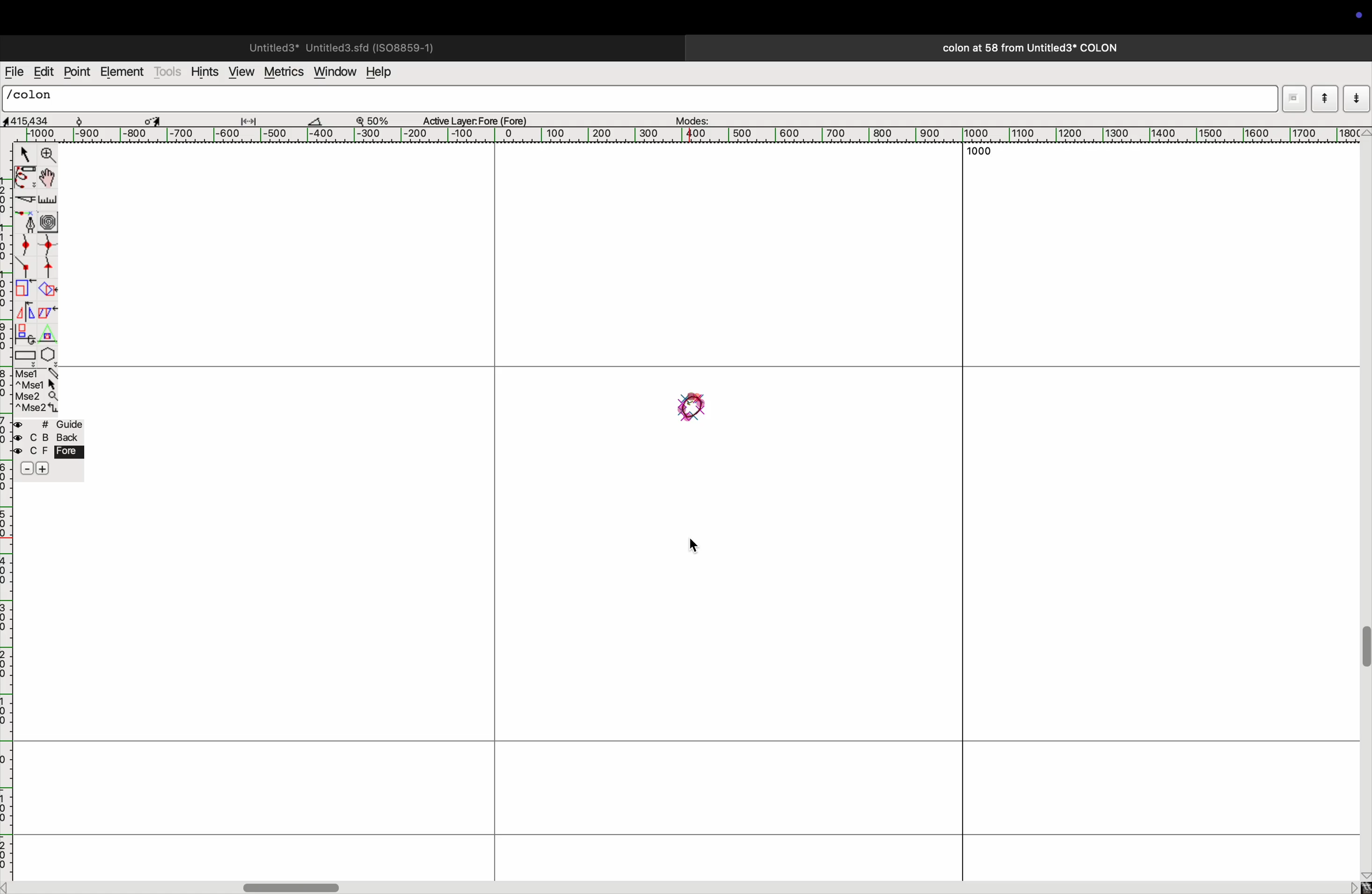  Describe the element at coordinates (253, 118) in the screenshot. I see `adjust` at that location.